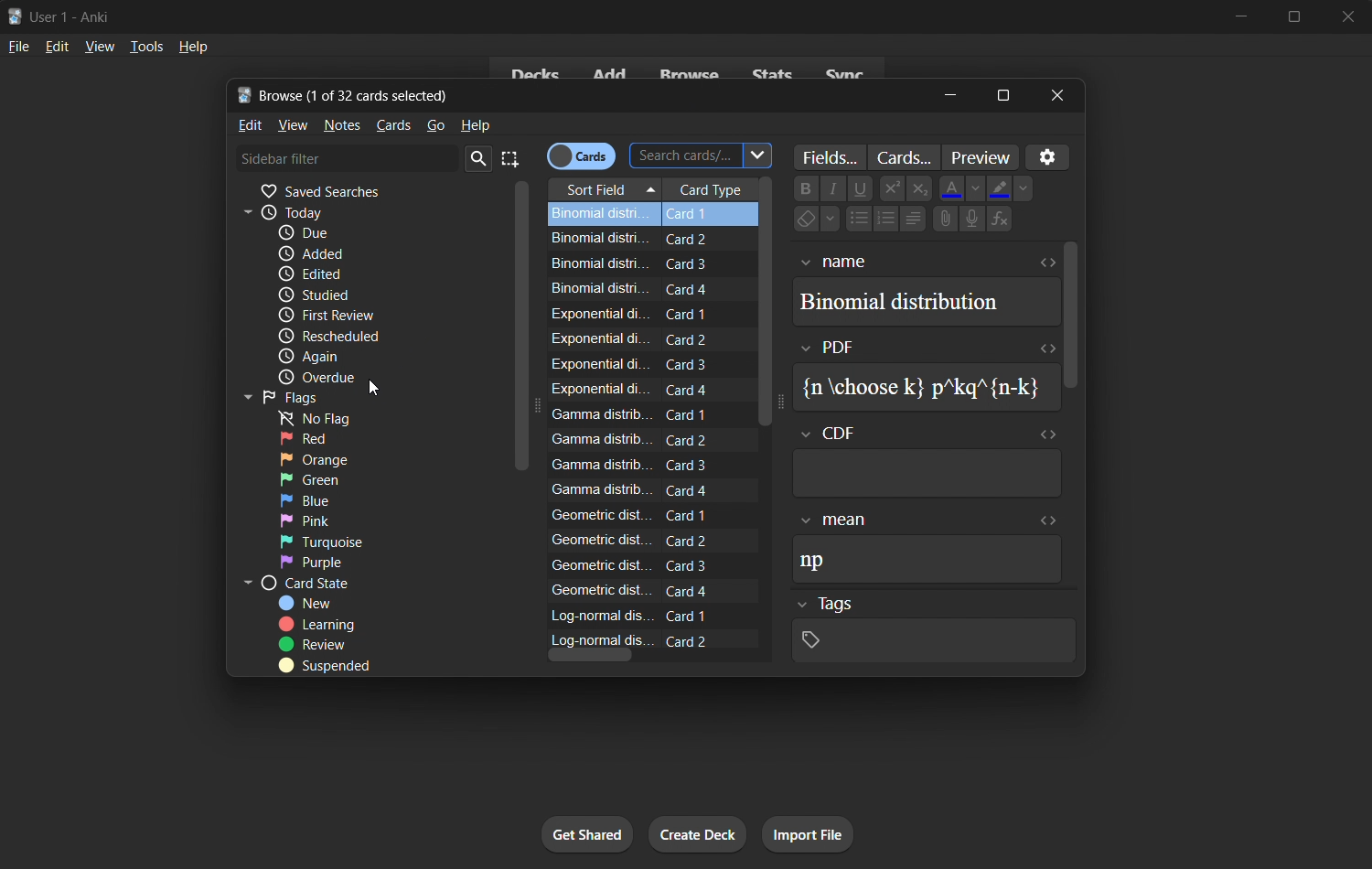  Describe the element at coordinates (605, 70) in the screenshot. I see `` at that location.